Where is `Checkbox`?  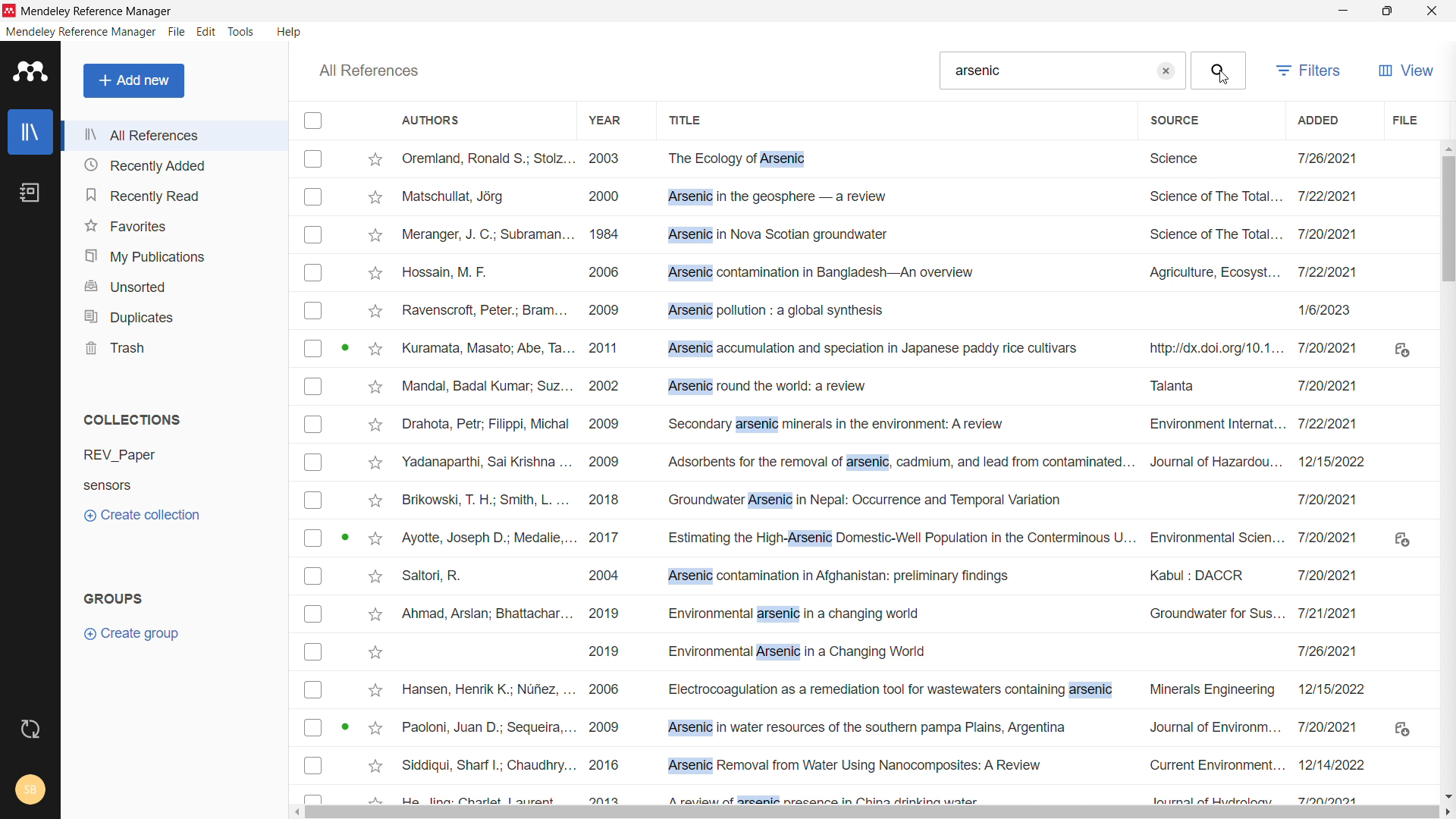
Checkbox is located at coordinates (314, 197).